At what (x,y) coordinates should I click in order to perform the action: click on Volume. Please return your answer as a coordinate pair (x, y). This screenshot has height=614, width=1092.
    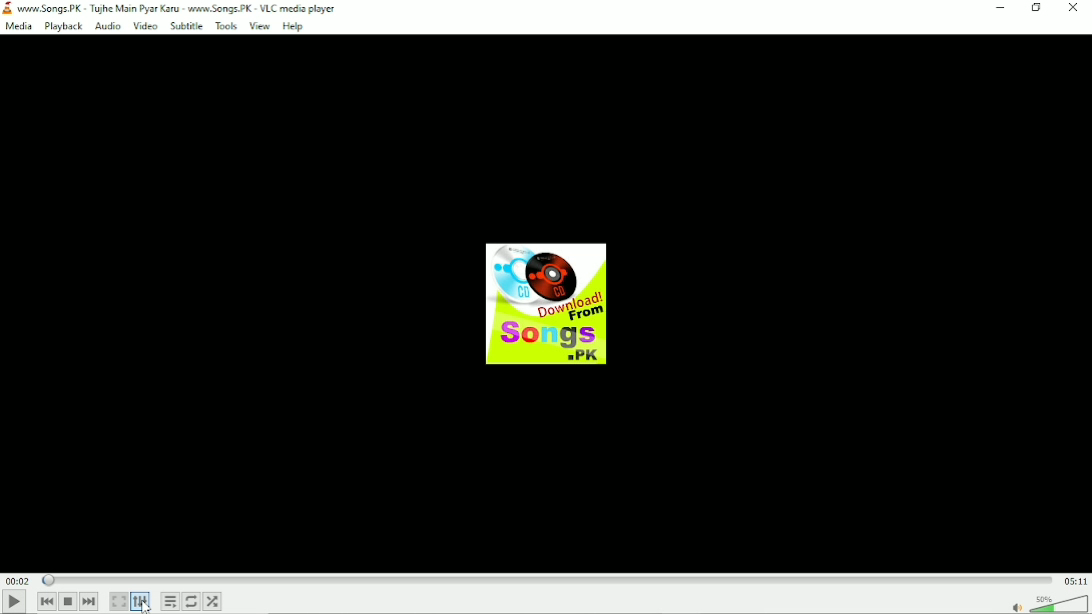
    Looking at the image, I should click on (1048, 602).